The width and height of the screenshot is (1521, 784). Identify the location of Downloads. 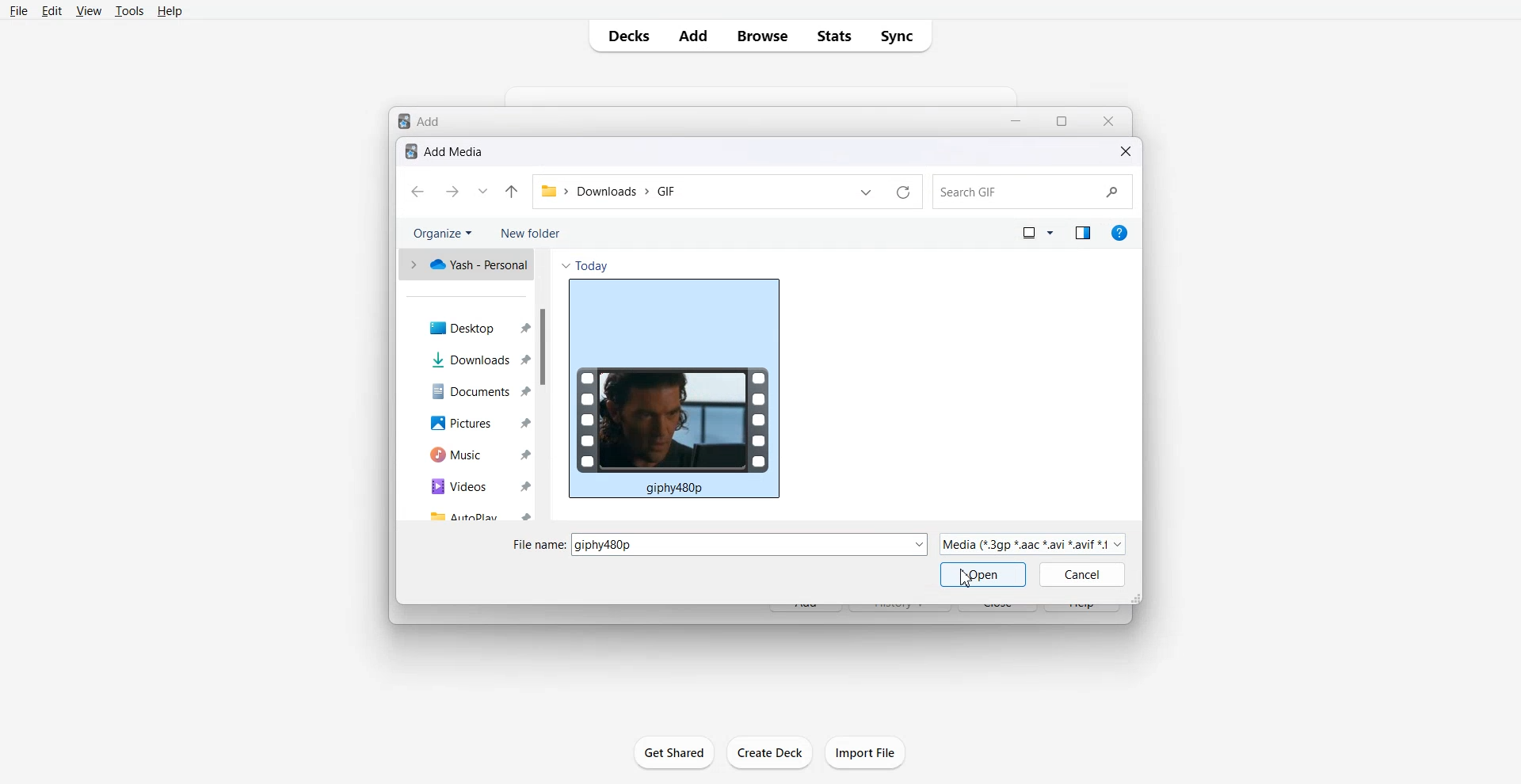
(471, 360).